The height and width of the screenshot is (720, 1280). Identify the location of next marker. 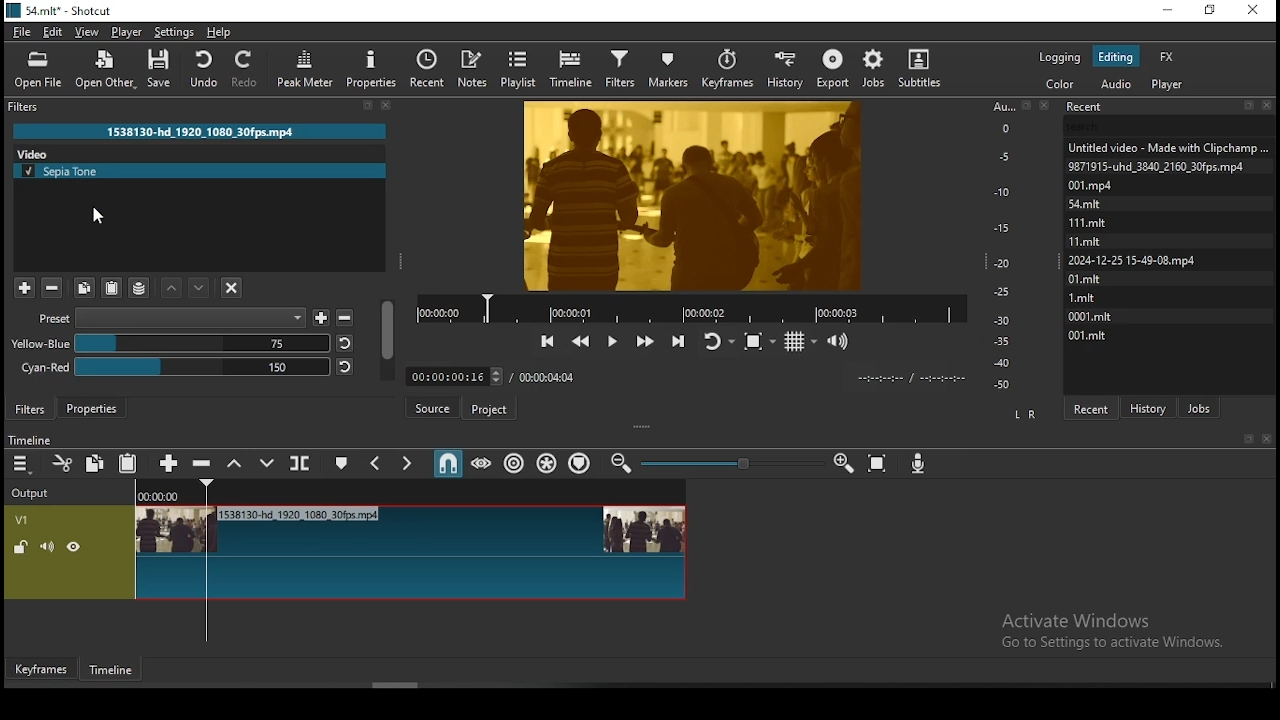
(405, 462).